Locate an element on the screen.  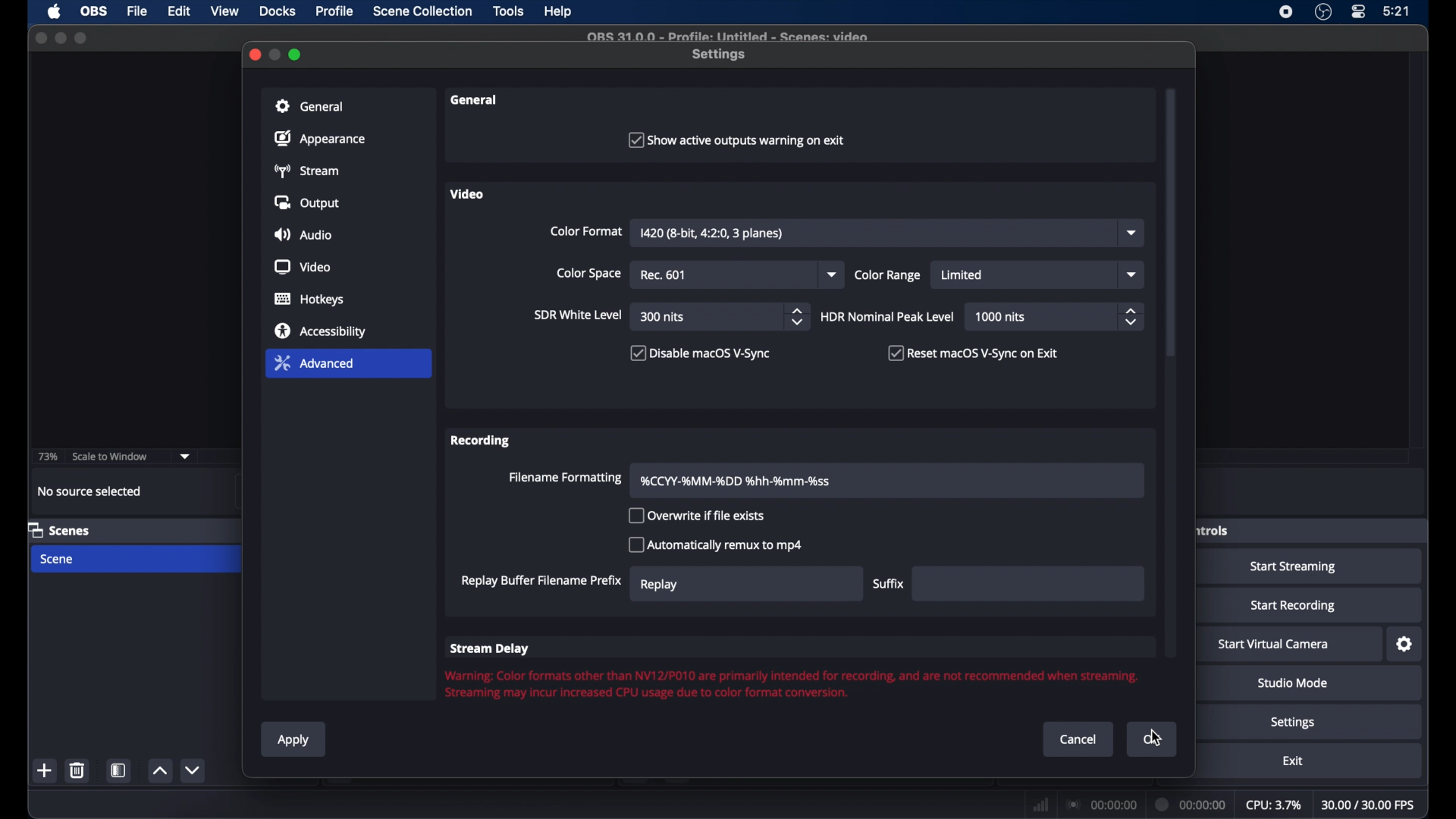
help is located at coordinates (559, 12).